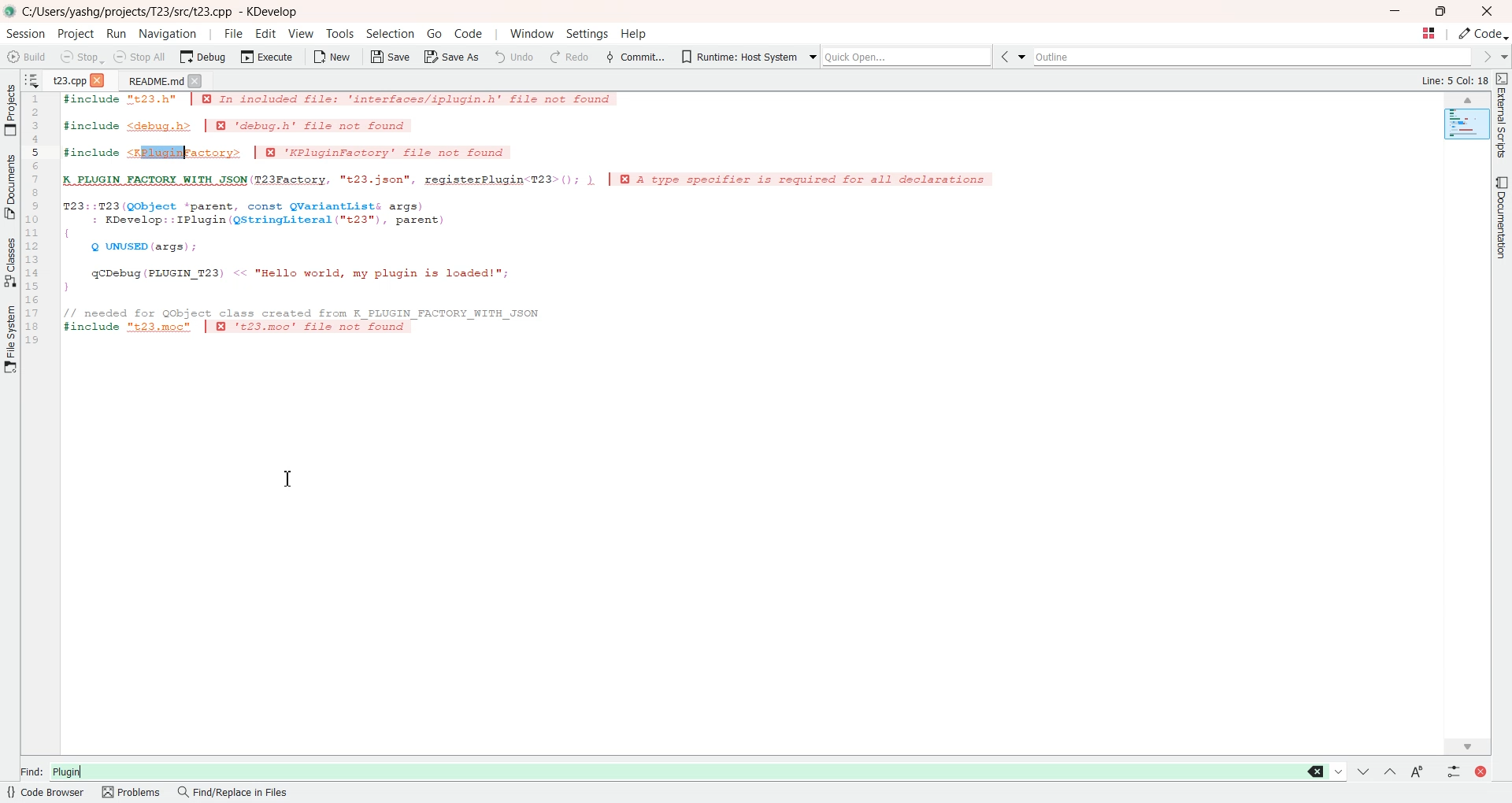 This screenshot has height=803, width=1512. I want to click on File, so click(233, 33).